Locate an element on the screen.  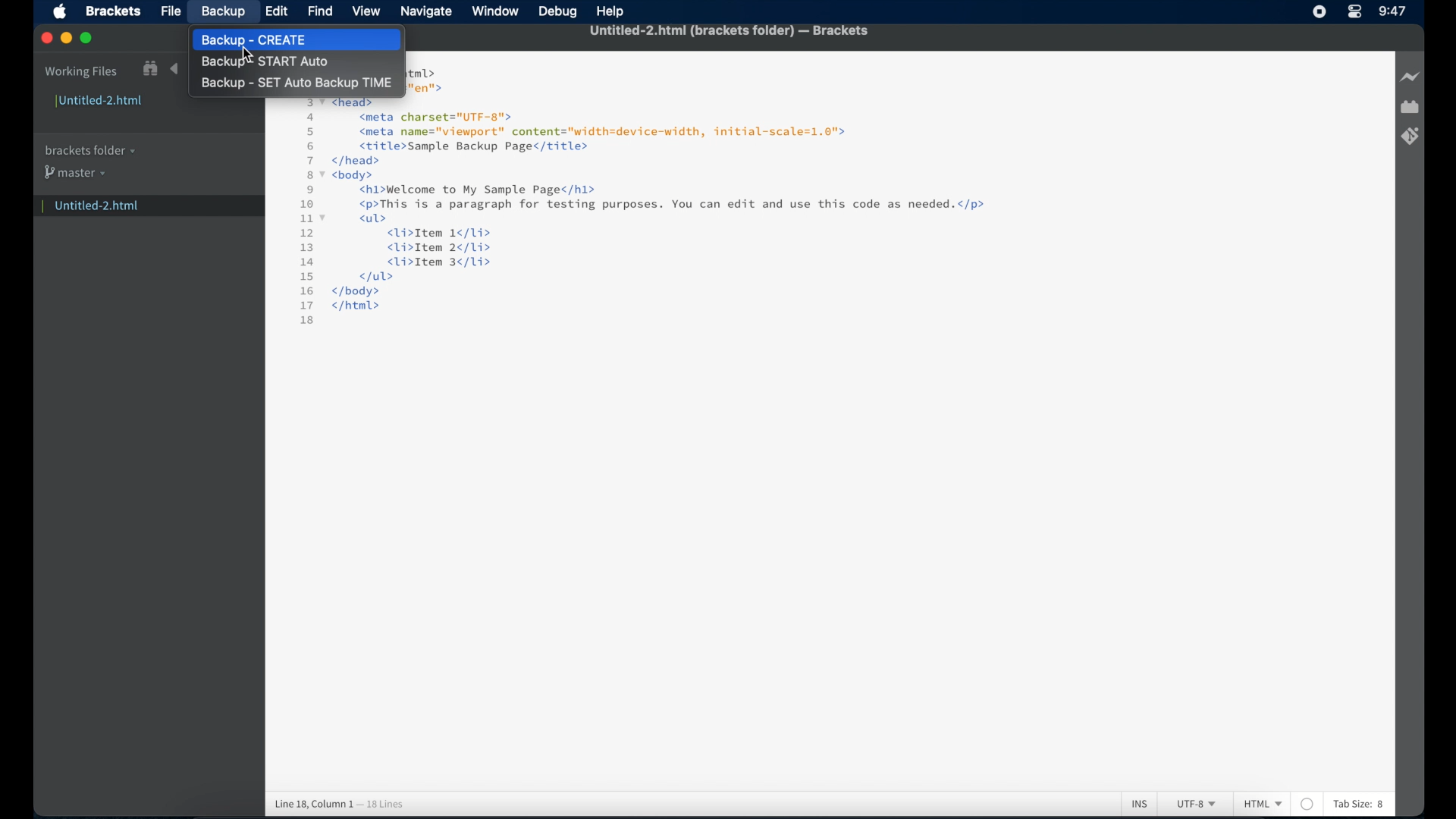
master is located at coordinates (74, 172).